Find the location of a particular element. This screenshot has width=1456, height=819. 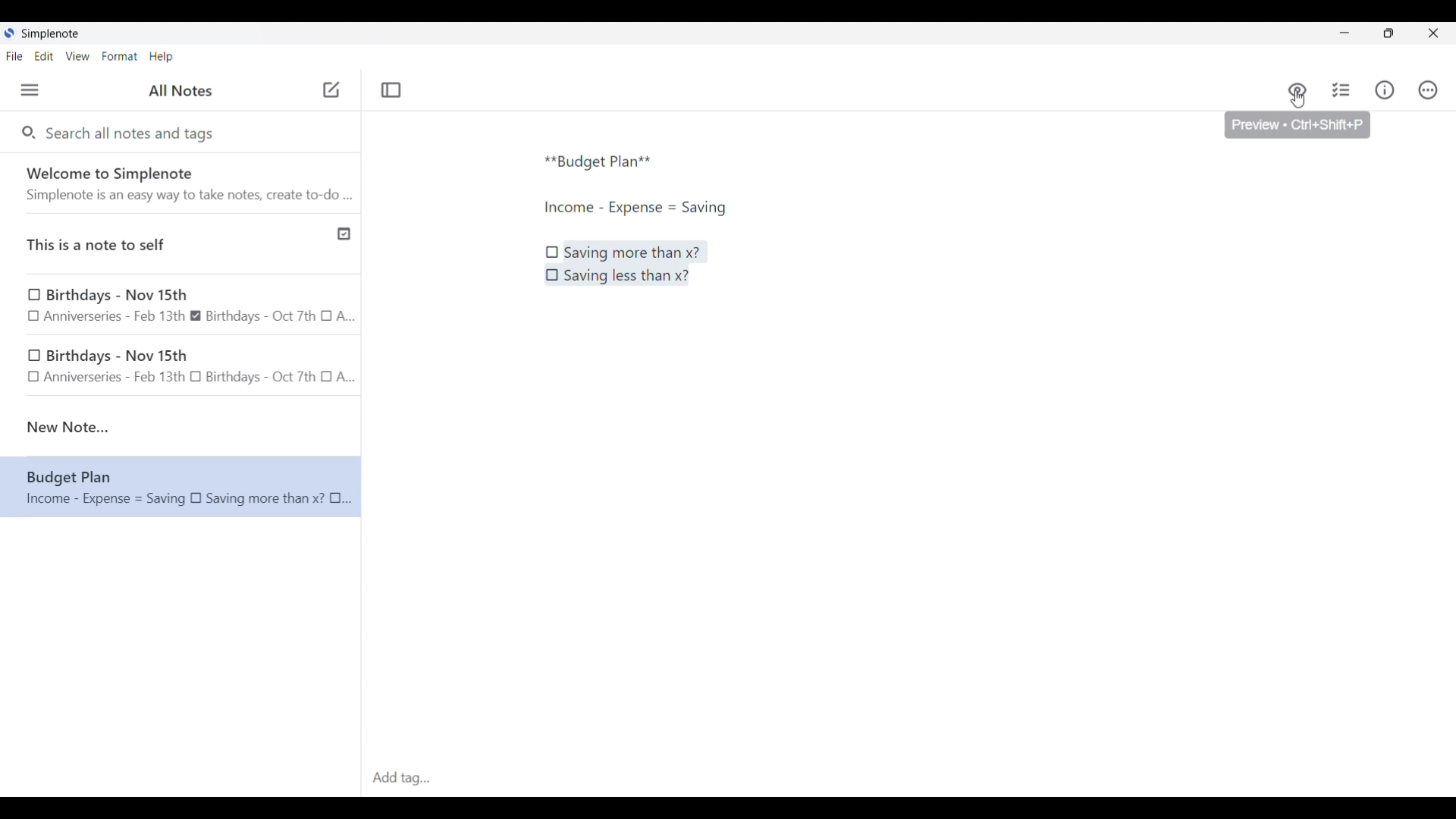

Earlier notes is located at coordinates (181, 306).